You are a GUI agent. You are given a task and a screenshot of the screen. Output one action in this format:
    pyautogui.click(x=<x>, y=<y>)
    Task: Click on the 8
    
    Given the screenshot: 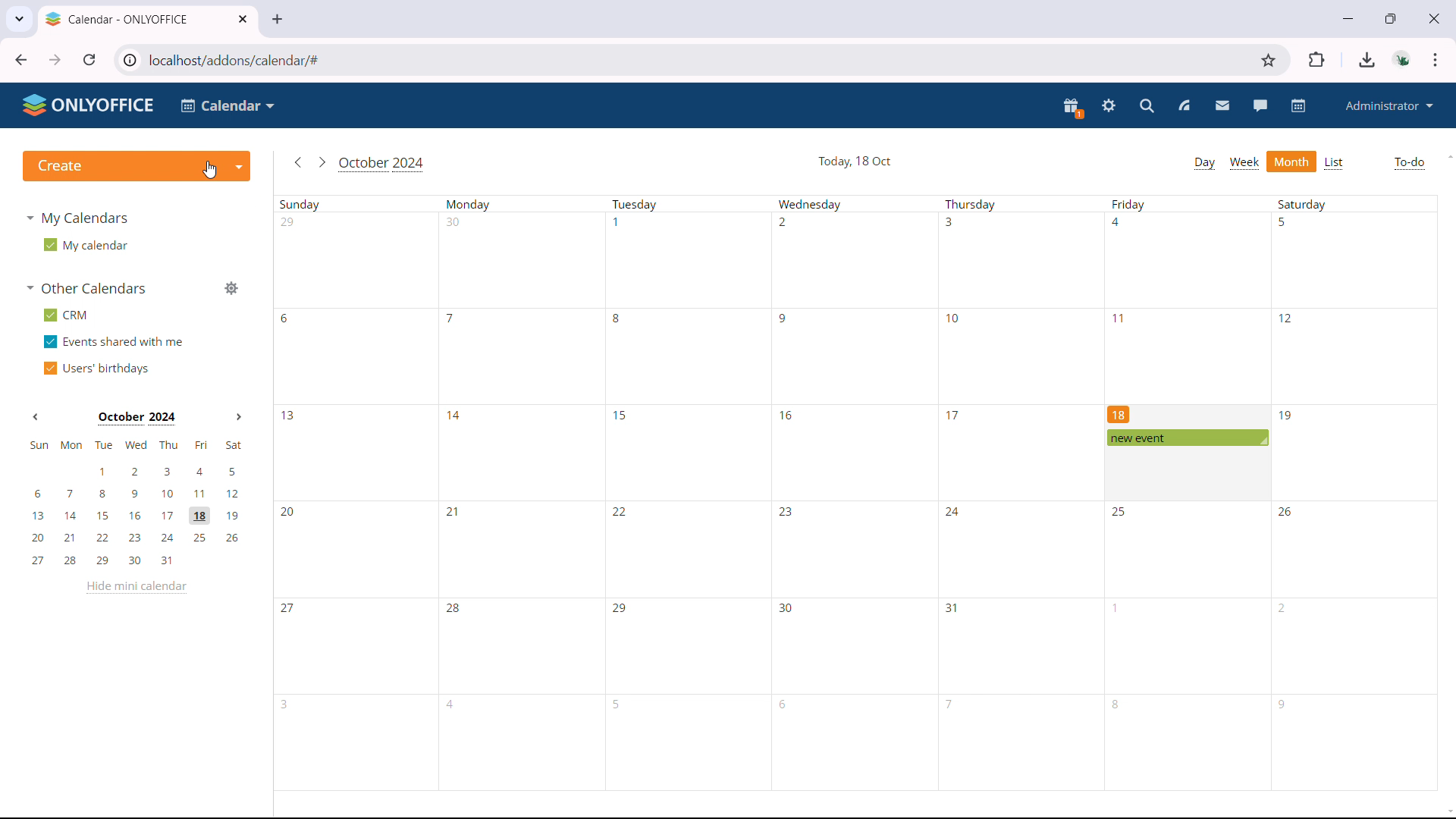 What is the action you would take?
    pyautogui.click(x=617, y=318)
    